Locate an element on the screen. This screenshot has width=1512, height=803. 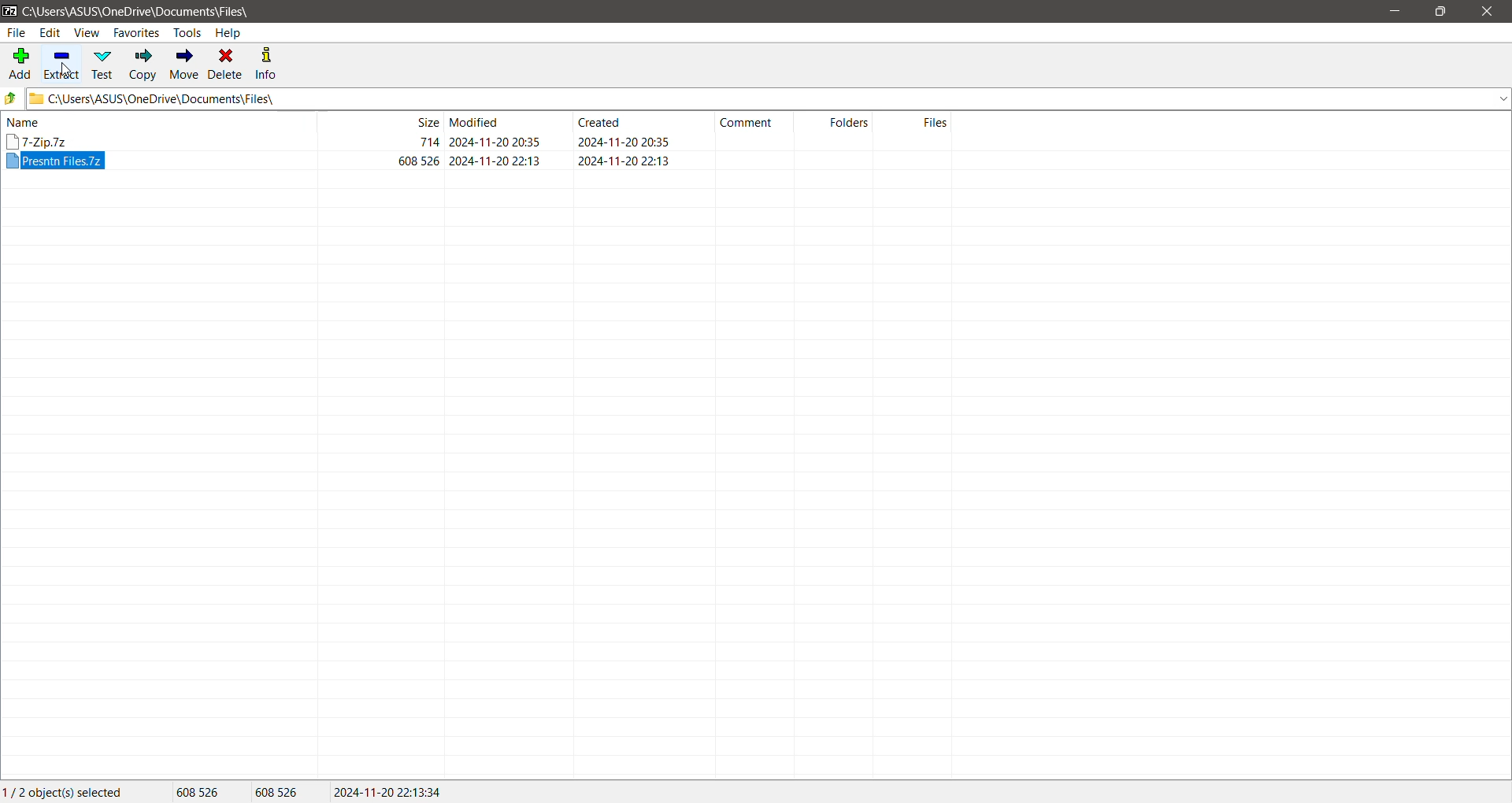
Current Folder Path is located at coordinates (769, 98).